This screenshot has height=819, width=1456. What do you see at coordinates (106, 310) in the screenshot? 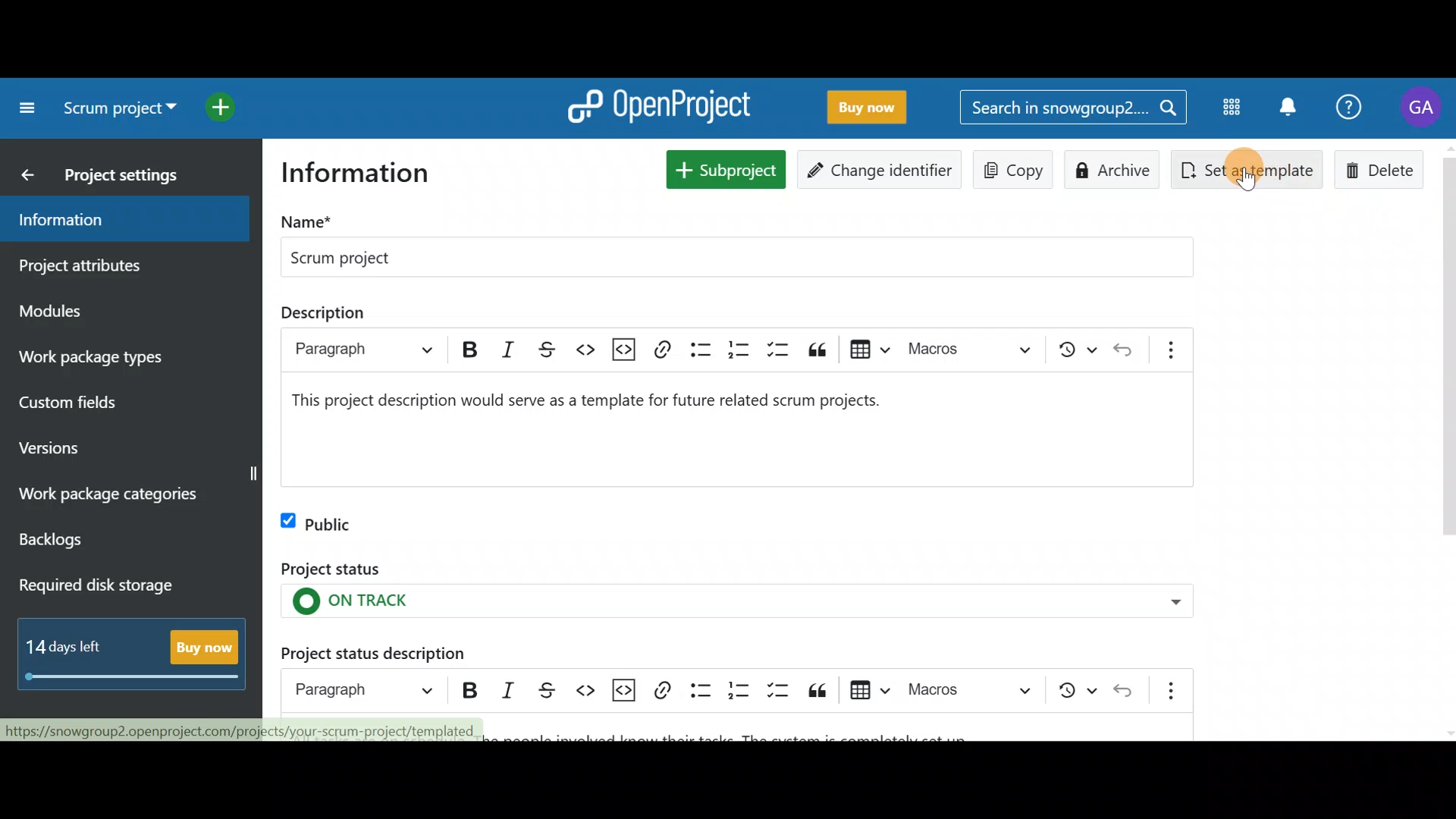
I see `Modules` at bounding box center [106, 310].